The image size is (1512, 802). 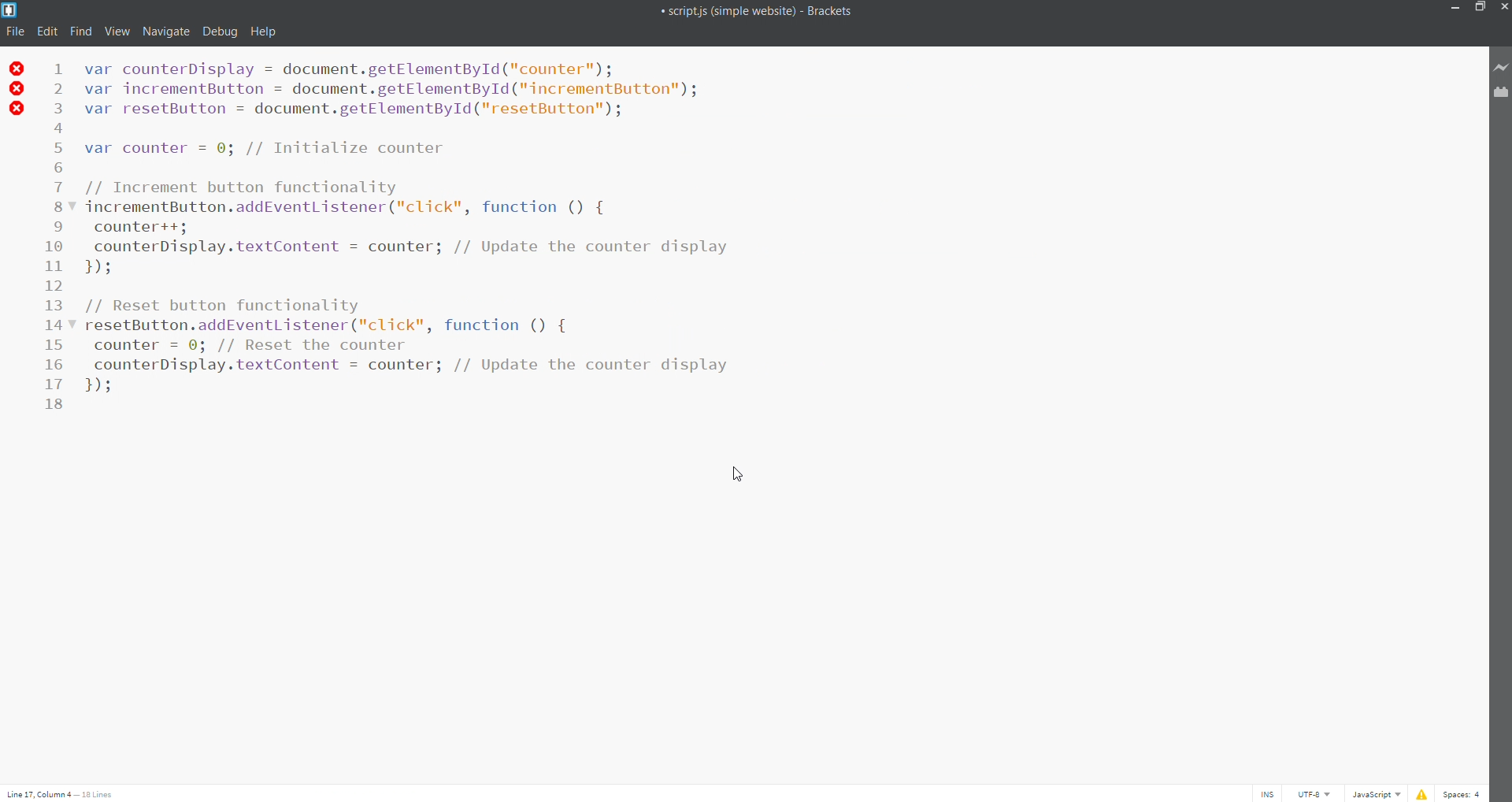 What do you see at coordinates (117, 33) in the screenshot?
I see `view` at bounding box center [117, 33].